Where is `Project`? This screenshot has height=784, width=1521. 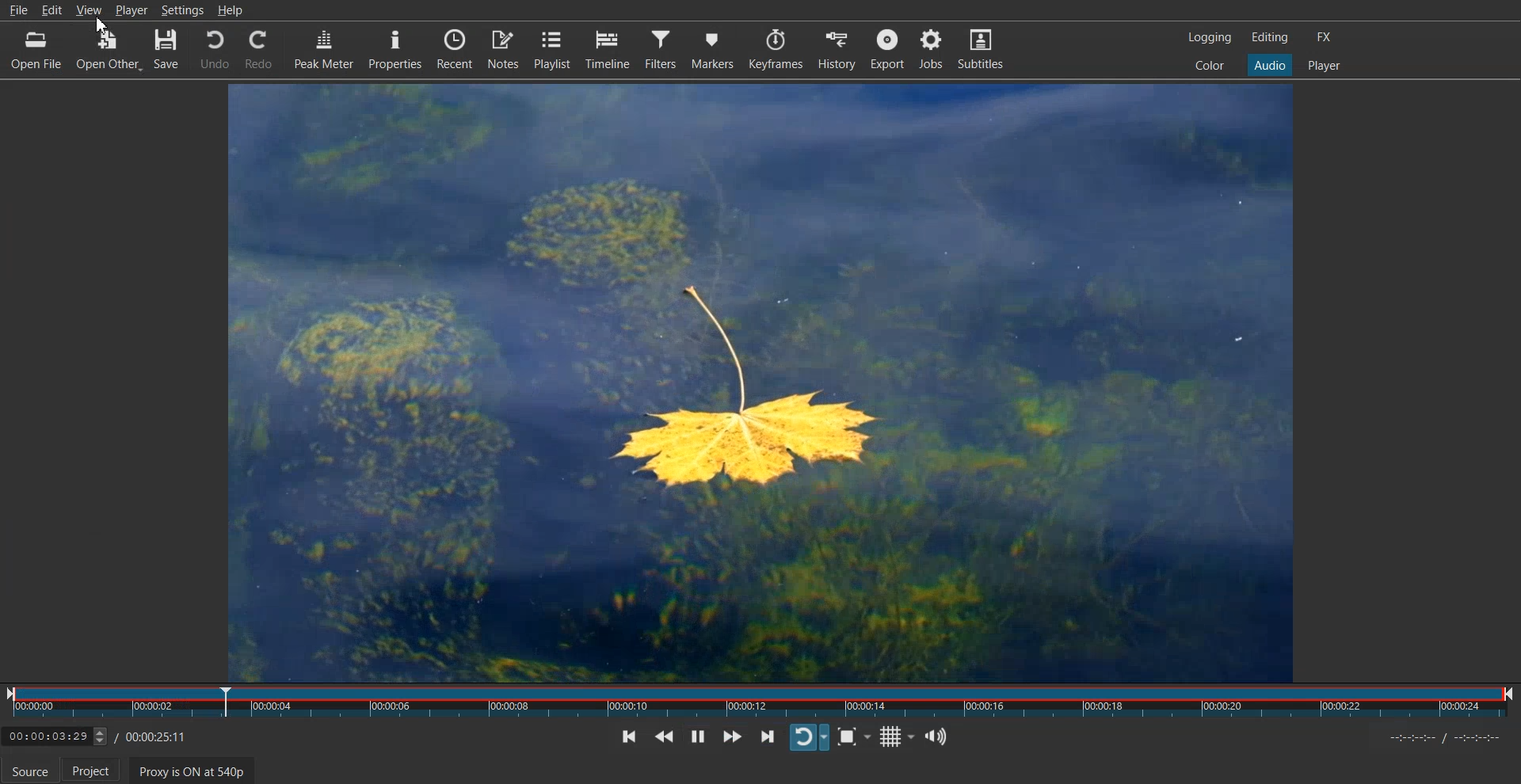 Project is located at coordinates (94, 770).